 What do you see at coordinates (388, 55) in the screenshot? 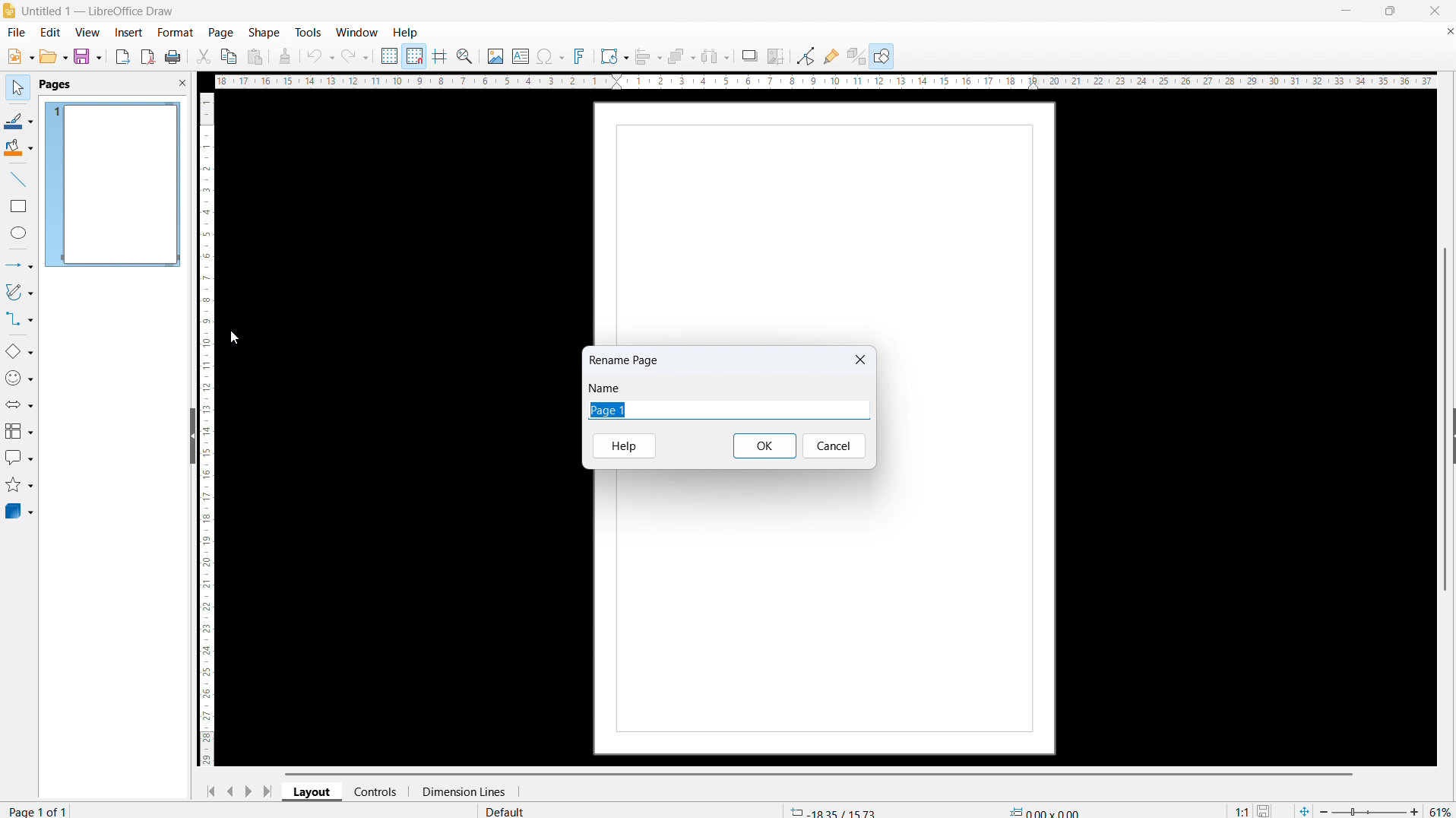
I see `display grid` at bounding box center [388, 55].